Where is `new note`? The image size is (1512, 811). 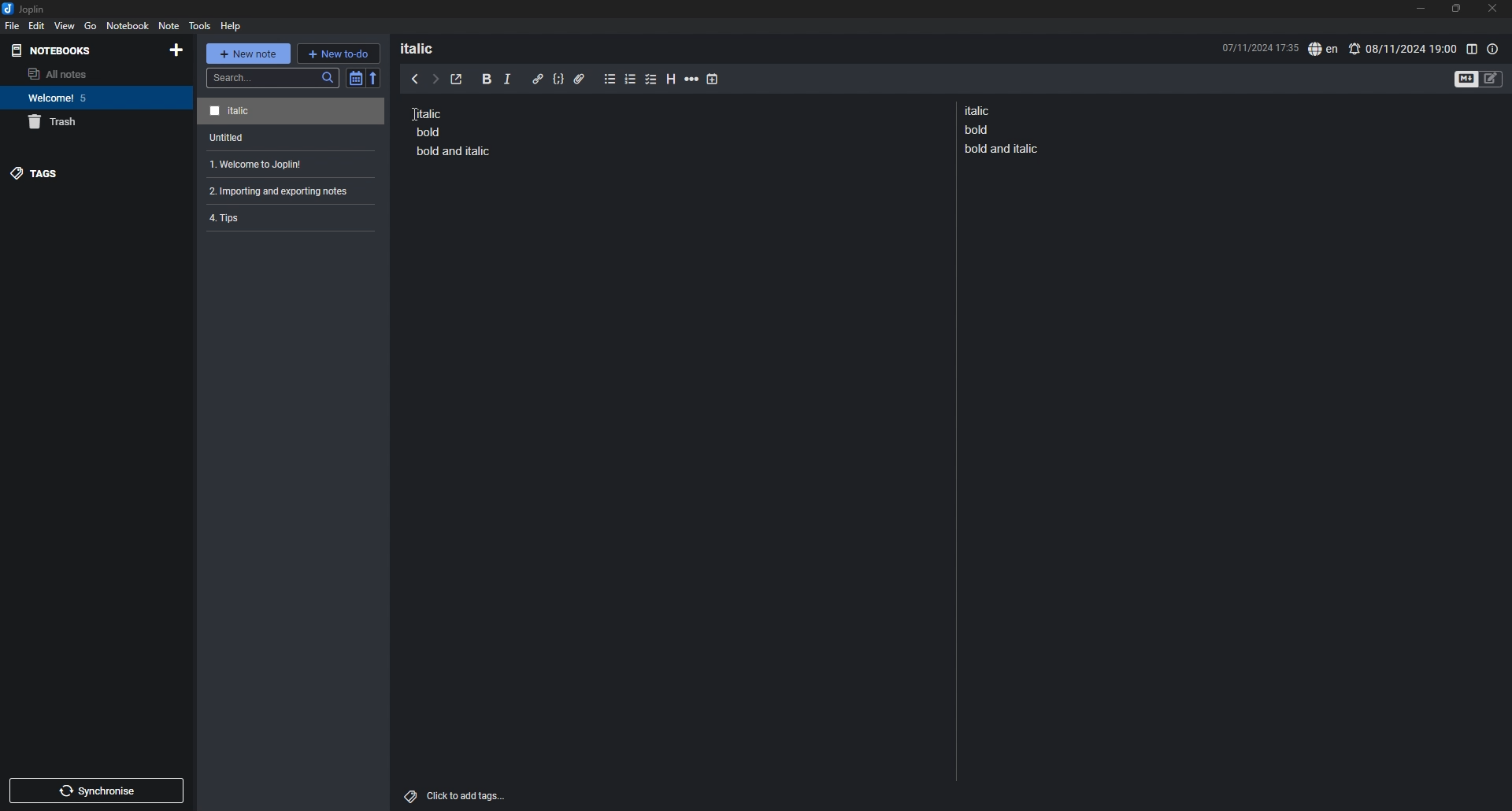 new note is located at coordinates (247, 54).